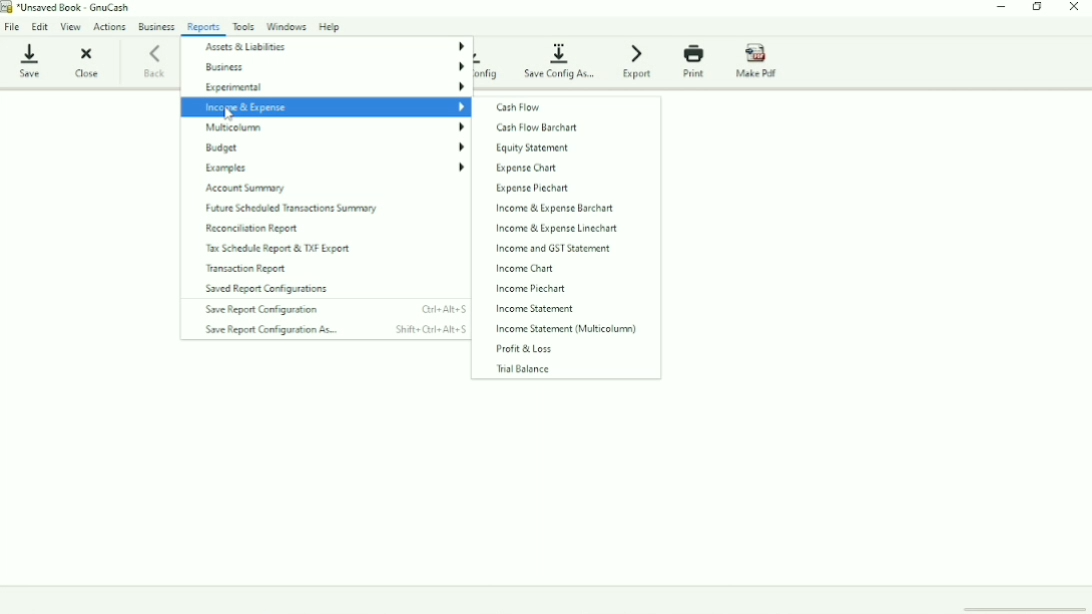 Image resolution: width=1092 pixels, height=614 pixels. What do you see at coordinates (334, 47) in the screenshot?
I see `Assets & Liabilities` at bounding box center [334, 47].